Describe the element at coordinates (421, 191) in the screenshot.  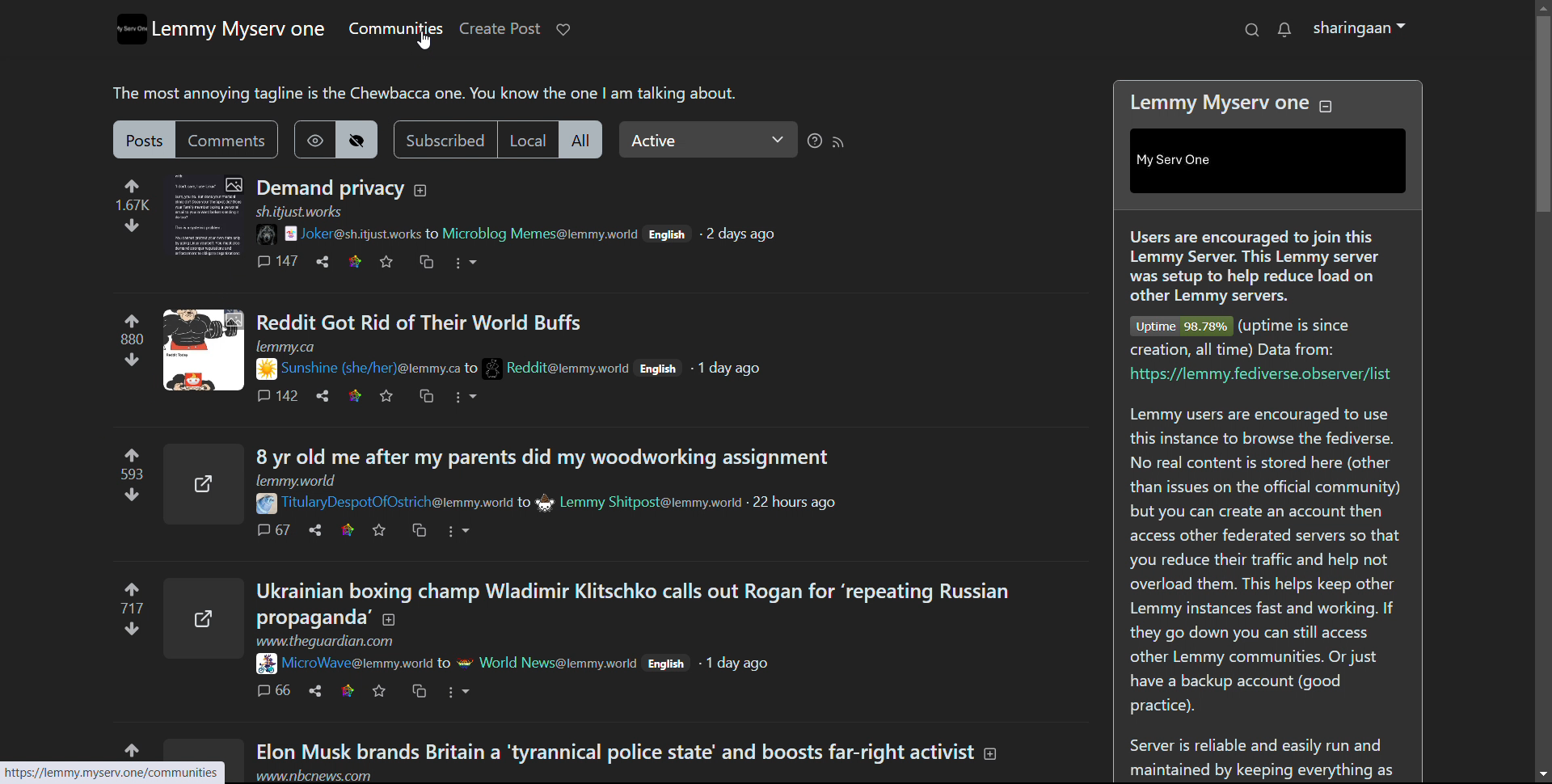
I see `expand` at that location.